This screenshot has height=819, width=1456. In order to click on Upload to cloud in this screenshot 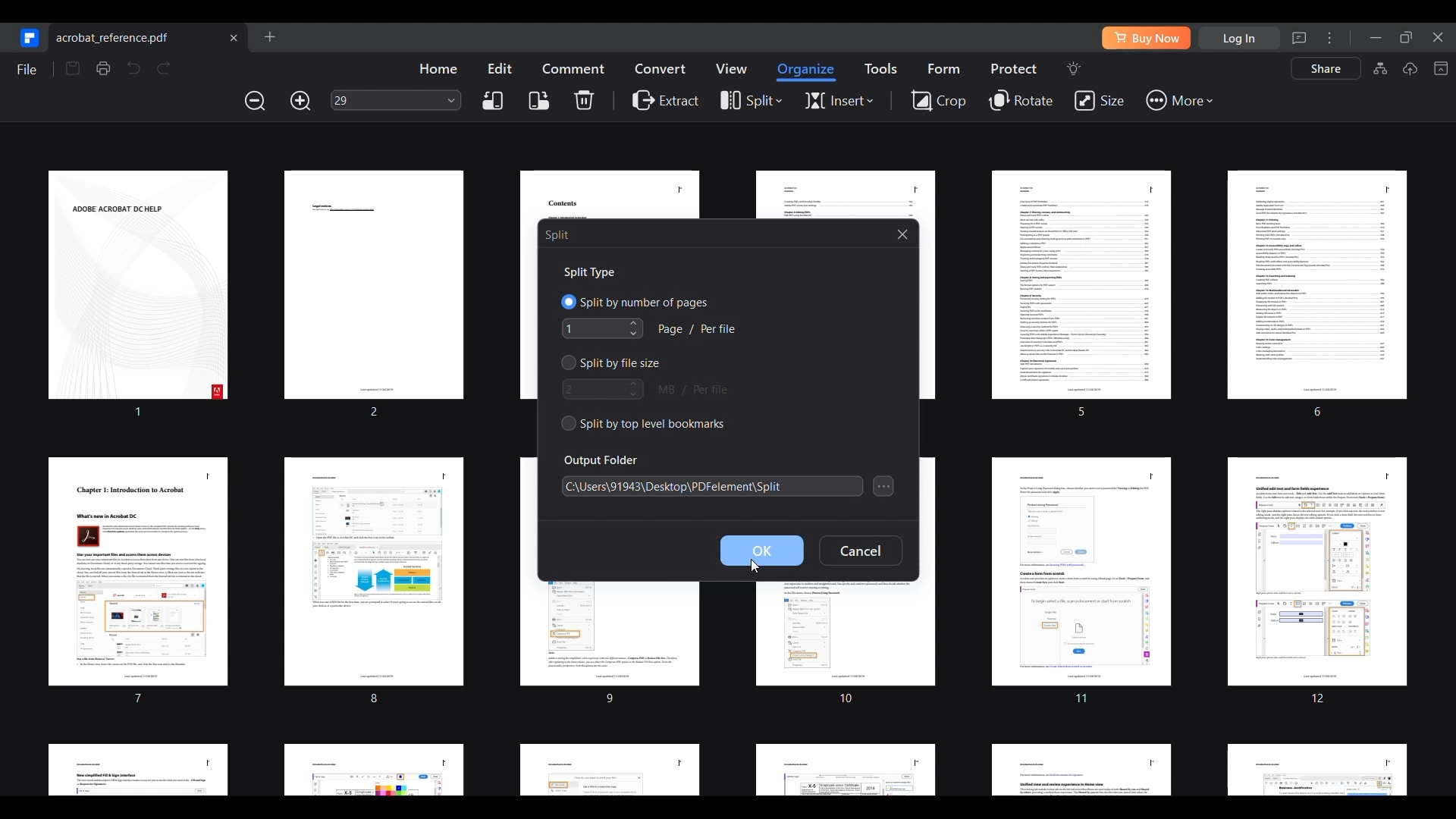, I will do `click(1410, 68)`.